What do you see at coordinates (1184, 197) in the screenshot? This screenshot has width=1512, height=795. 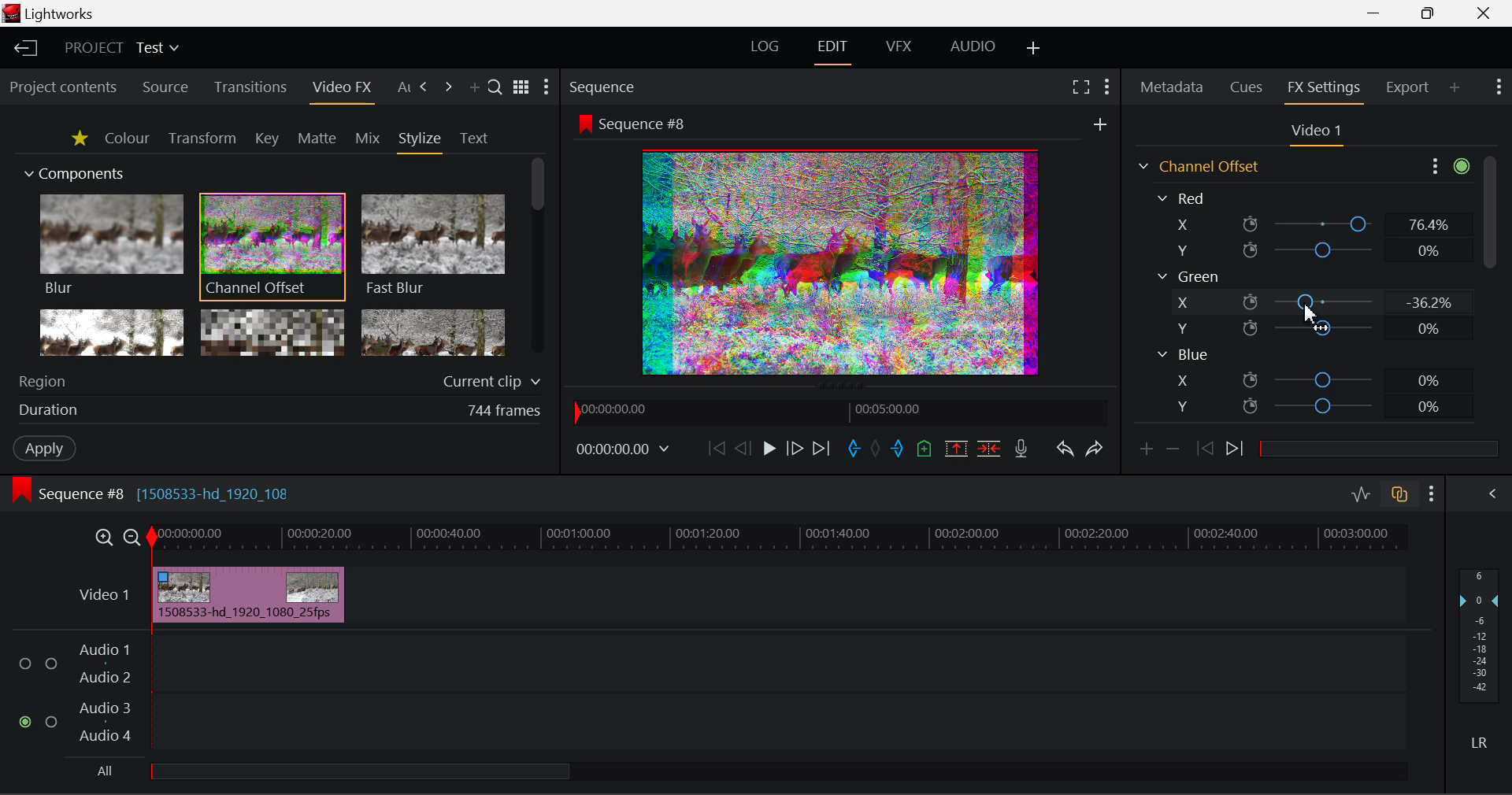 I see `Red` at bounding box center [1184, 197].